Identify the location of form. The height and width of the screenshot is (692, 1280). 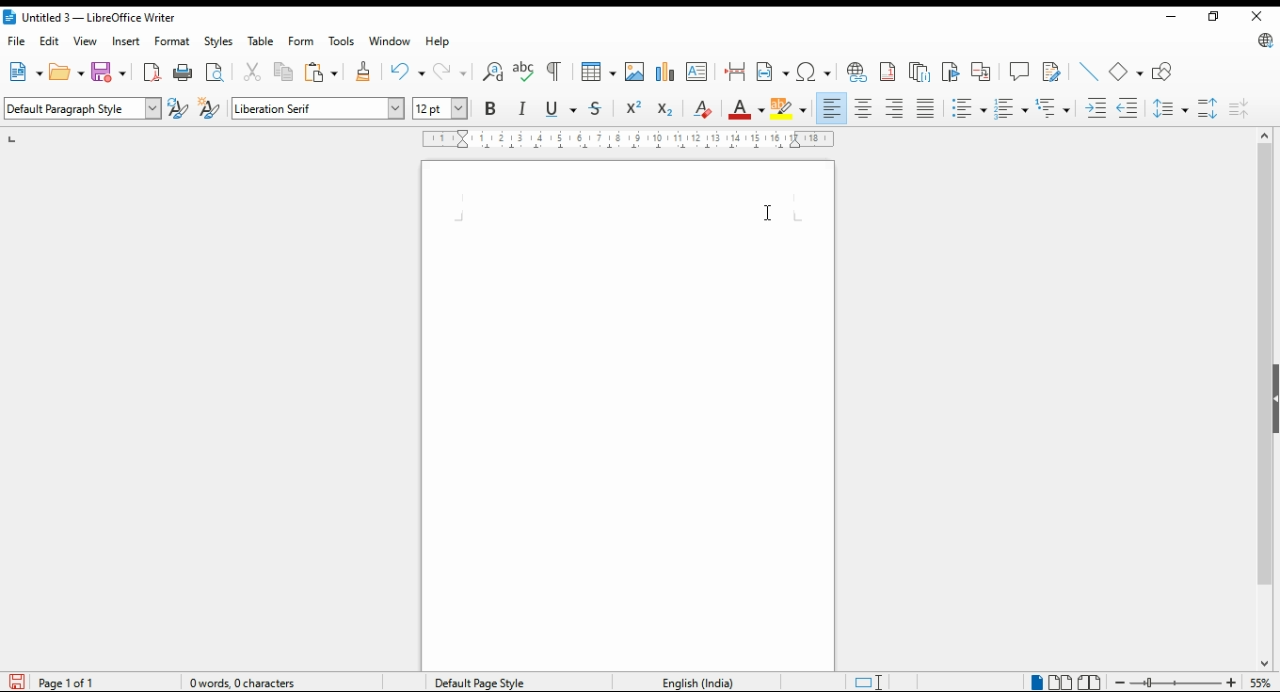
(300, 40).